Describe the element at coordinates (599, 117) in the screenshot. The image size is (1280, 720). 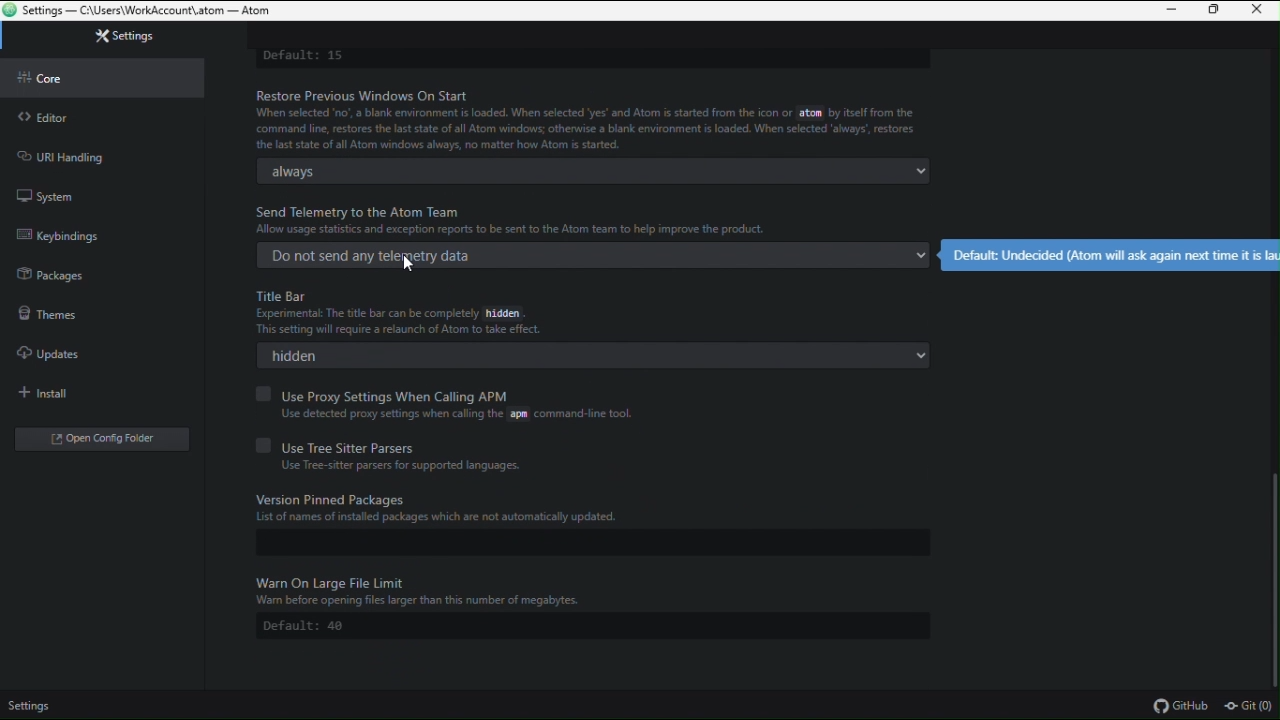
I see `Restore previous window On Start When selected 'no,' a blank environment is loaded. When selected 'yes' and Atom is started from tge icon or atom by itself from the command line, restores the laststate of all Atom windows, otherwise a blank environment is loaded. When selected 'always, restores the last of all Atom windows always, no matter how Atom is started.'` at that location.